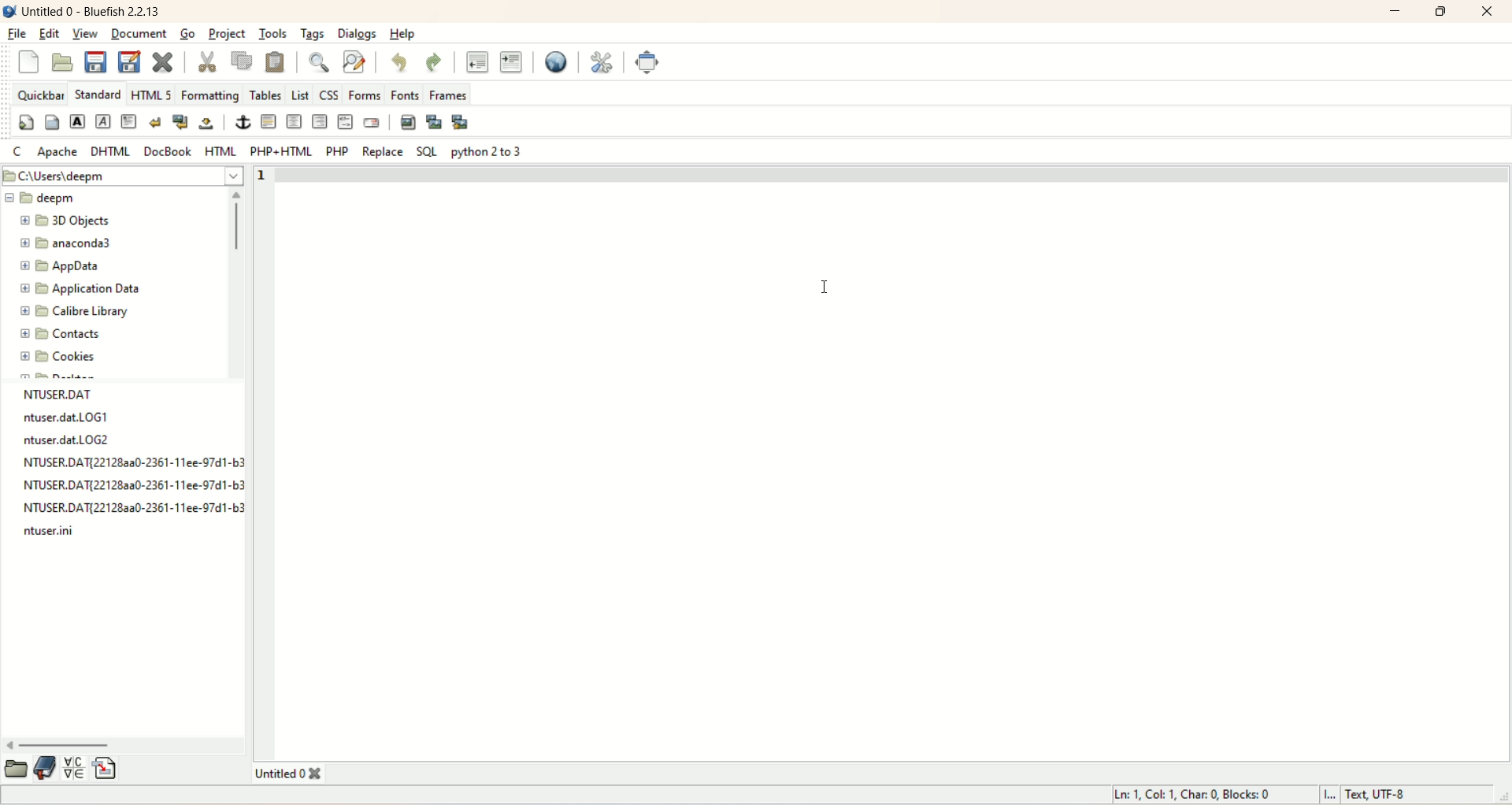 Image resolution: width=1512 pixels, height=805 pixels. I want to click on file, so click(76, 417).